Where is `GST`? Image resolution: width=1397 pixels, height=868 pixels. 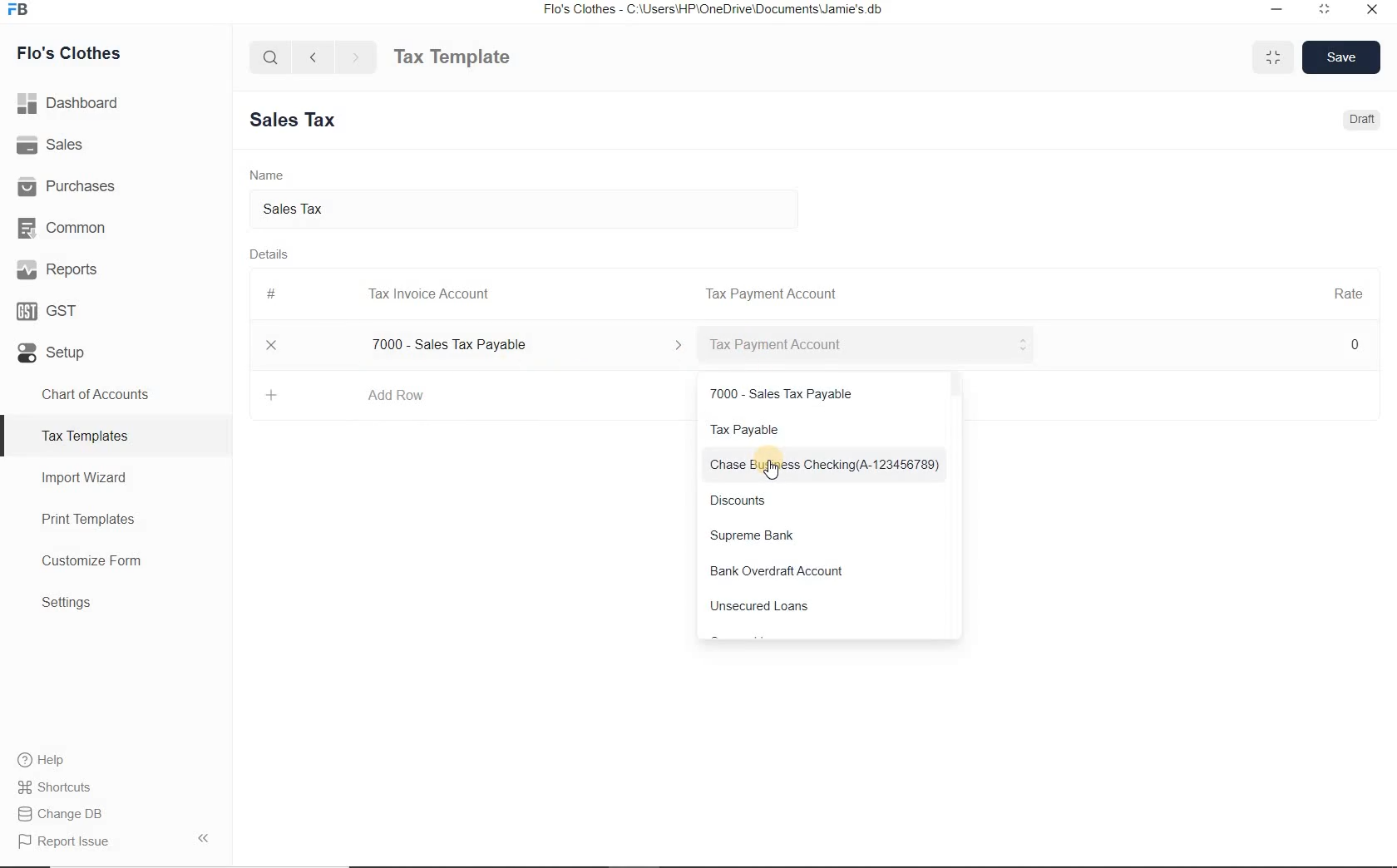
GST is located at coordinates (116, 308).